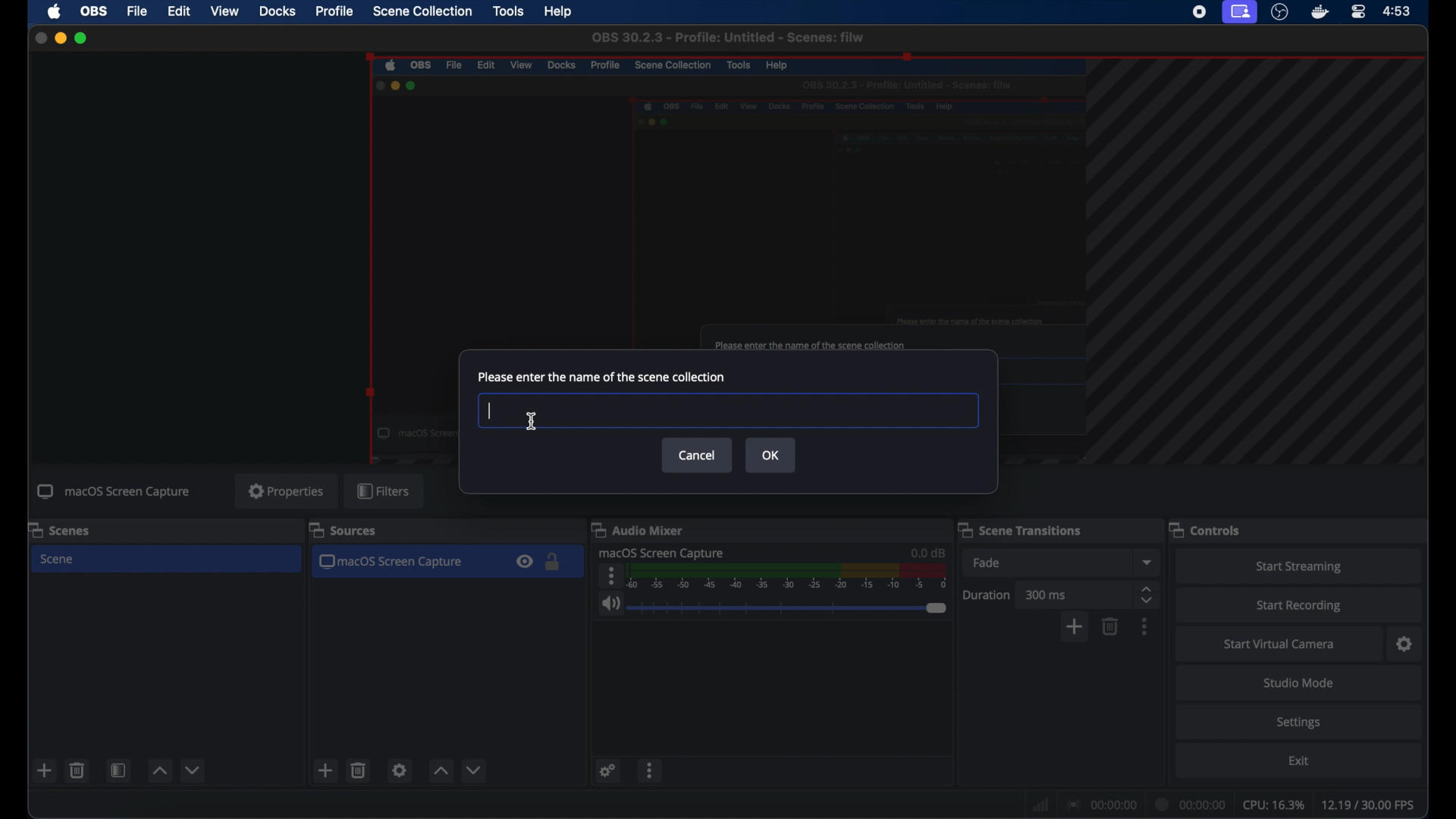 This screenshot has width=1456, height=819. I want to click on controls, so click(1207, 529).